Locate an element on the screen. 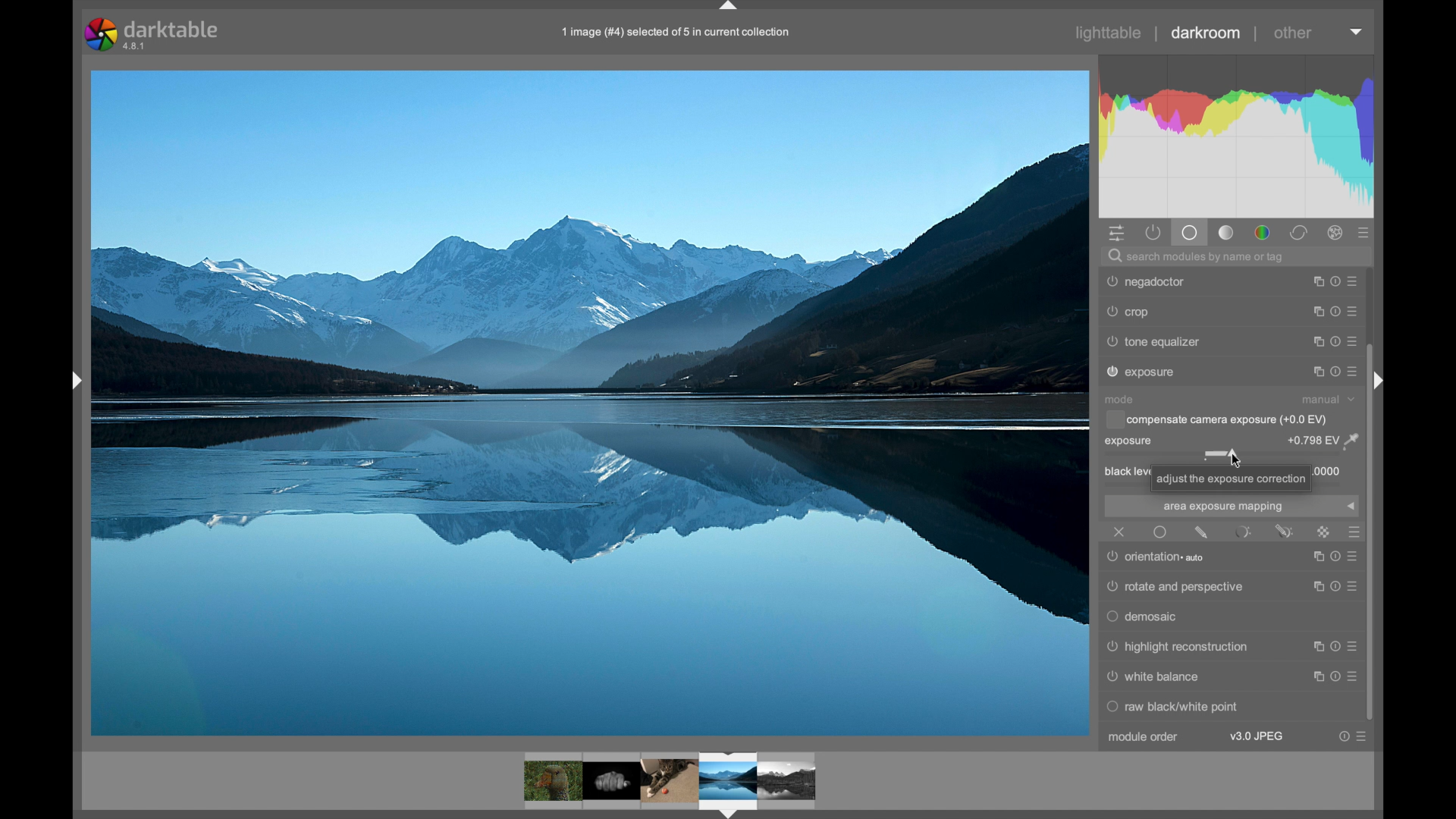 This screenshot has width=1456, height=819. filename is located at coordinates (676, 32).